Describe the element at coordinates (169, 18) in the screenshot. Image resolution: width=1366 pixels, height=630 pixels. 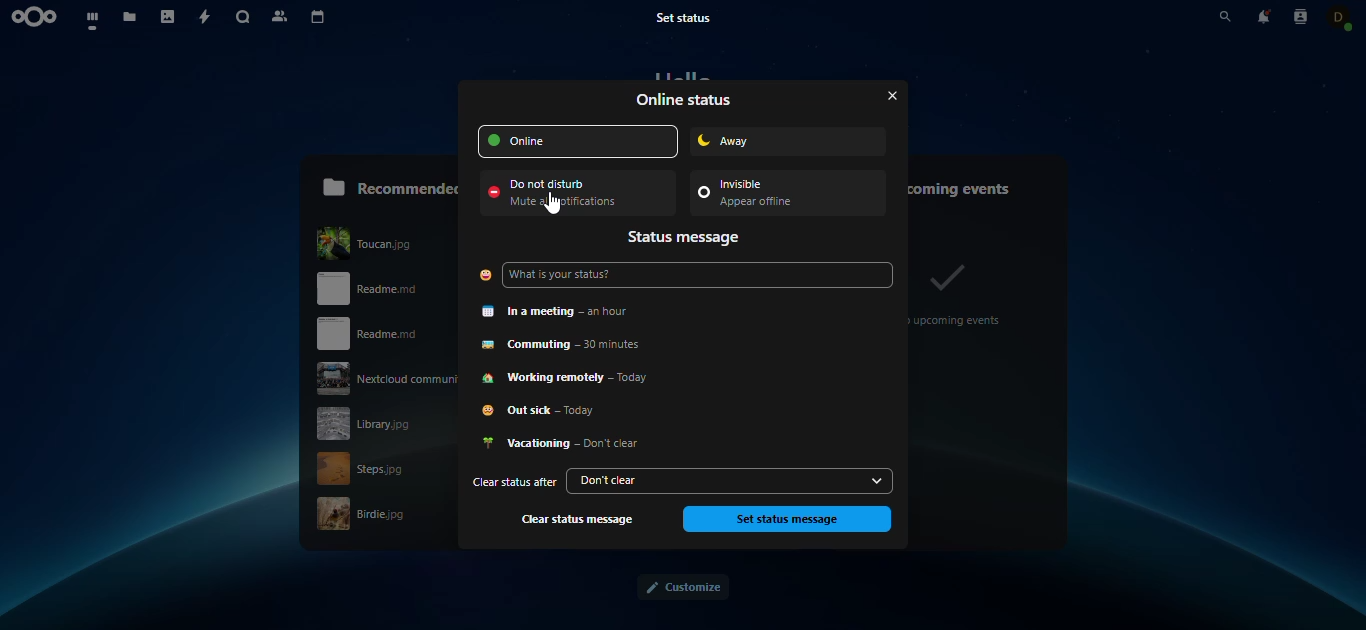
I see `photos` at that location.